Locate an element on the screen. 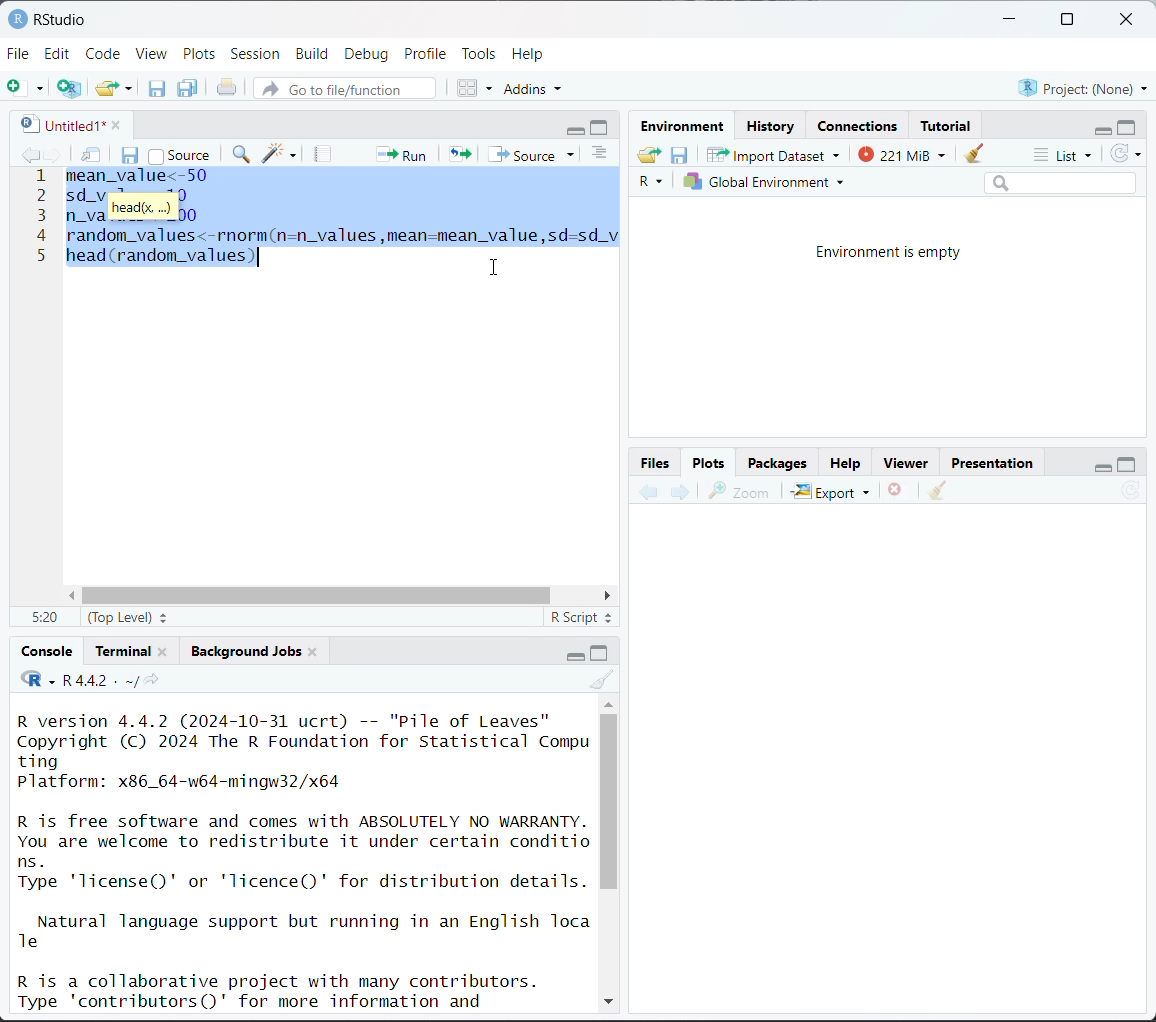 This screenshot has width=1156, height=1022. minimize is located at coordinates (1099, 464).